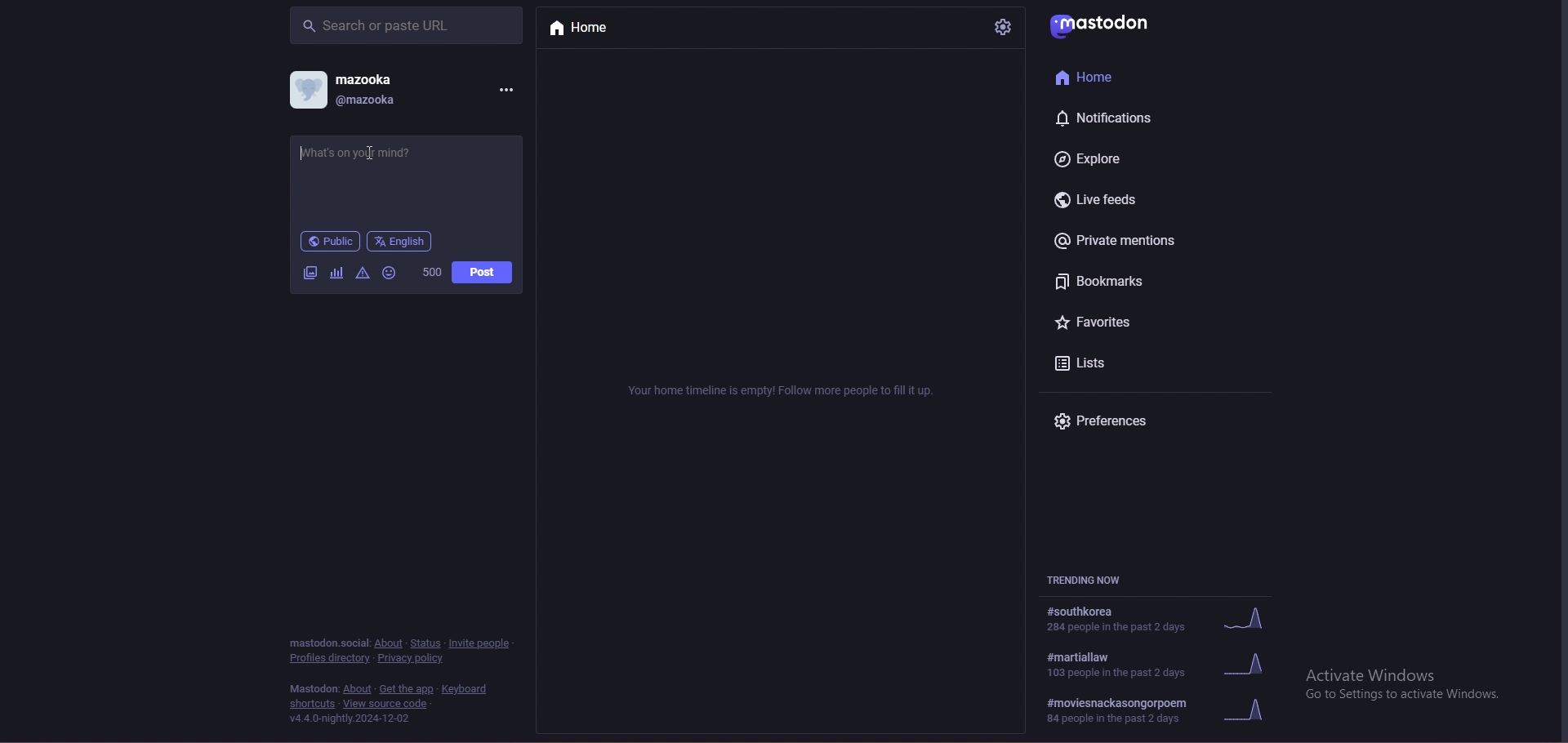 The height and width of the screenshot is (743, 1568). What do you see at coordinates (1136, 242) in the screenshot?
I see `private mentions` at bounding box center [1136, 242].